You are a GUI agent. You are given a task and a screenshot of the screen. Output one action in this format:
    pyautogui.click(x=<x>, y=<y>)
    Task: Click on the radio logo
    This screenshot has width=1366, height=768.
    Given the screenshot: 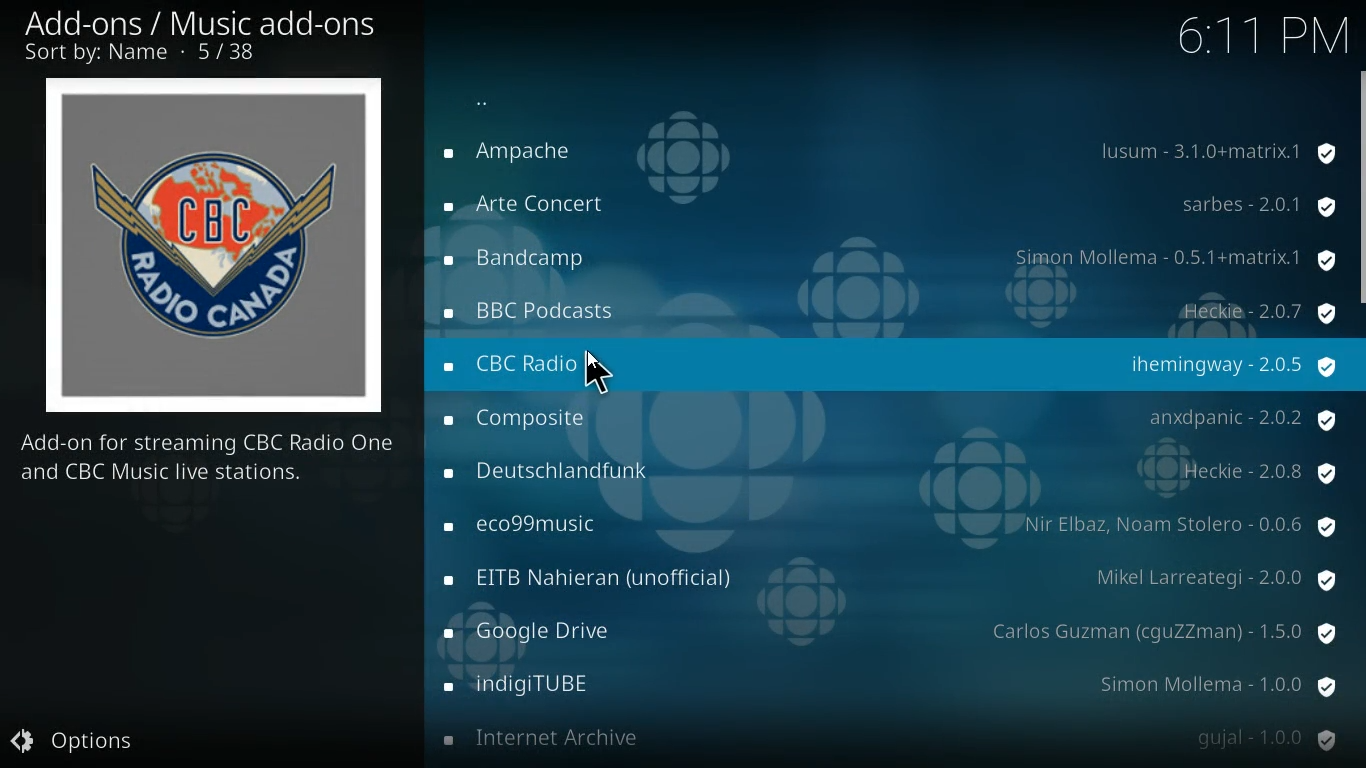 What is the action you would take?
    pyautogui.click(x=211, y=247)
    